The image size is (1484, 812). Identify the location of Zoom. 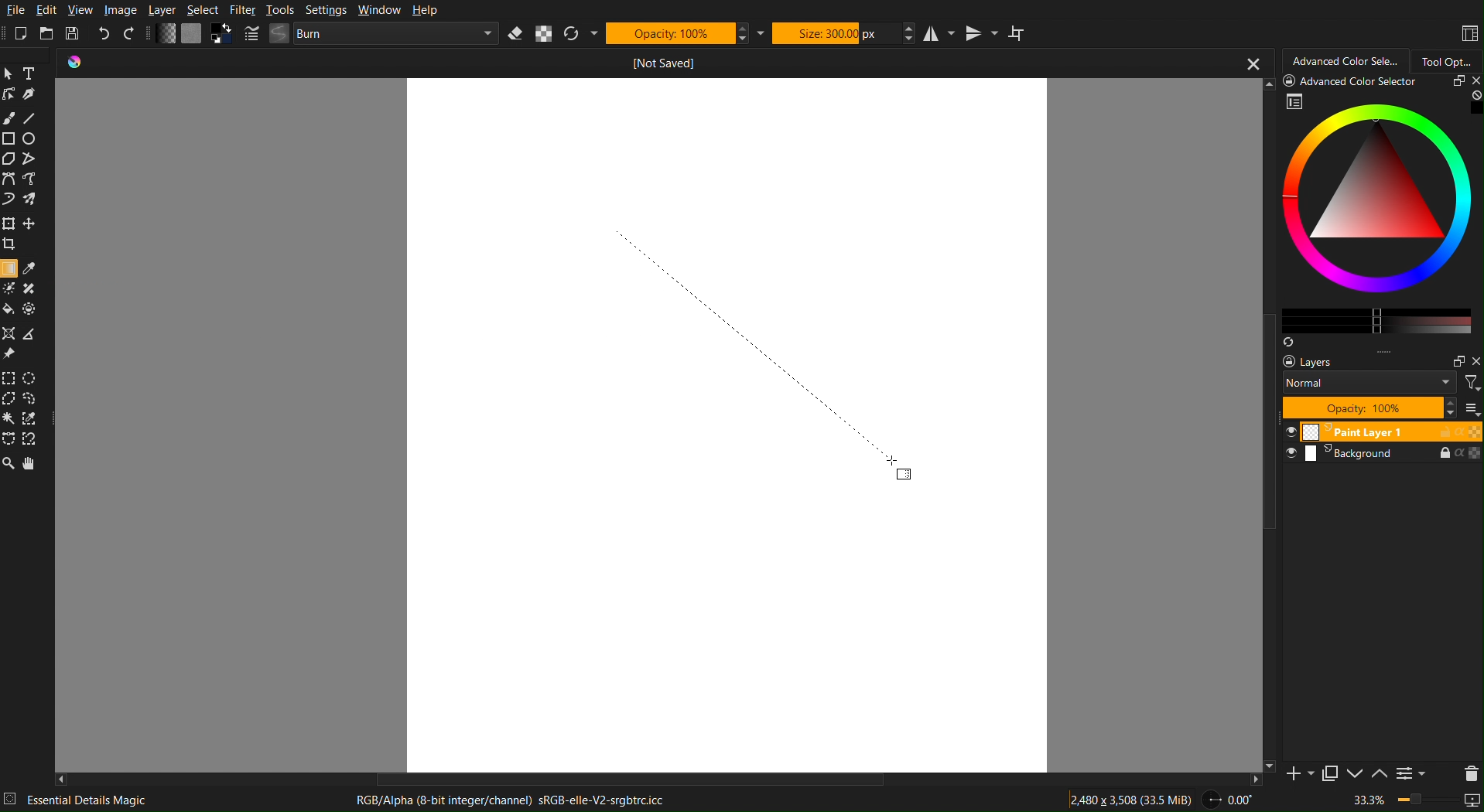
(1418, 802).